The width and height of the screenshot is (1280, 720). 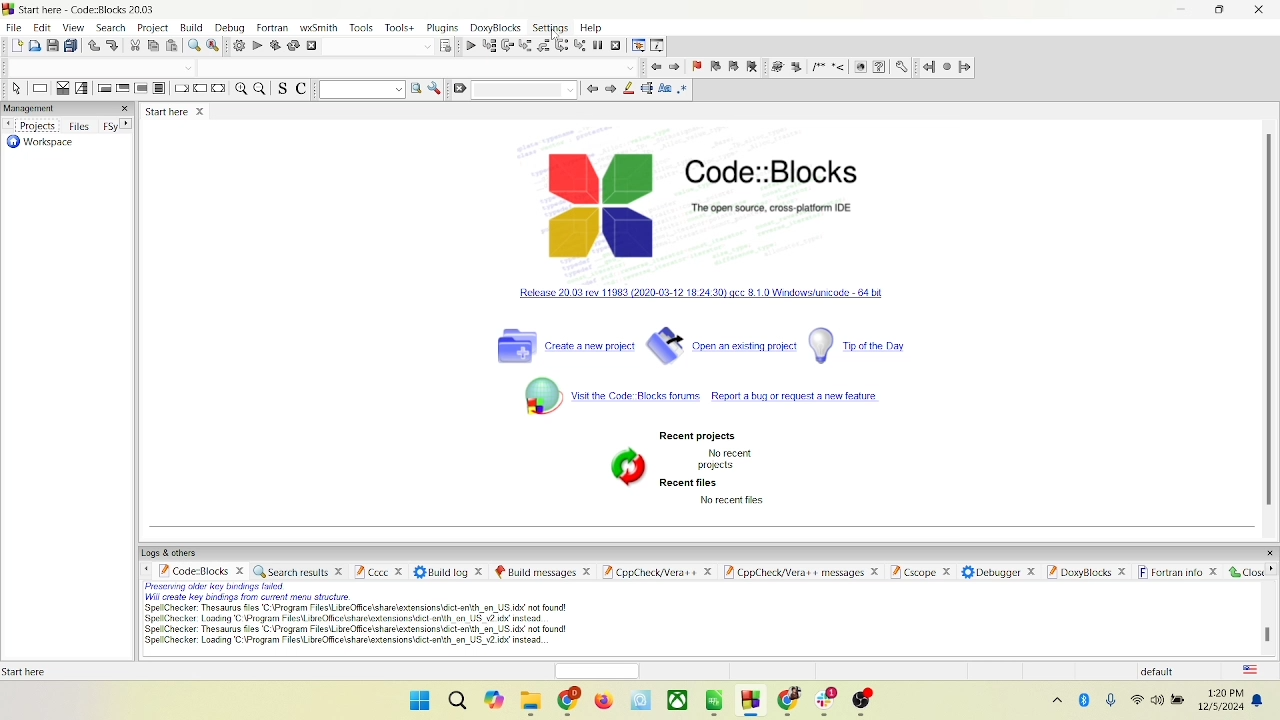 What do you see at coordinates (90, 9) in the screenshot?
I see `code::block` at bounding box center [90, 9].